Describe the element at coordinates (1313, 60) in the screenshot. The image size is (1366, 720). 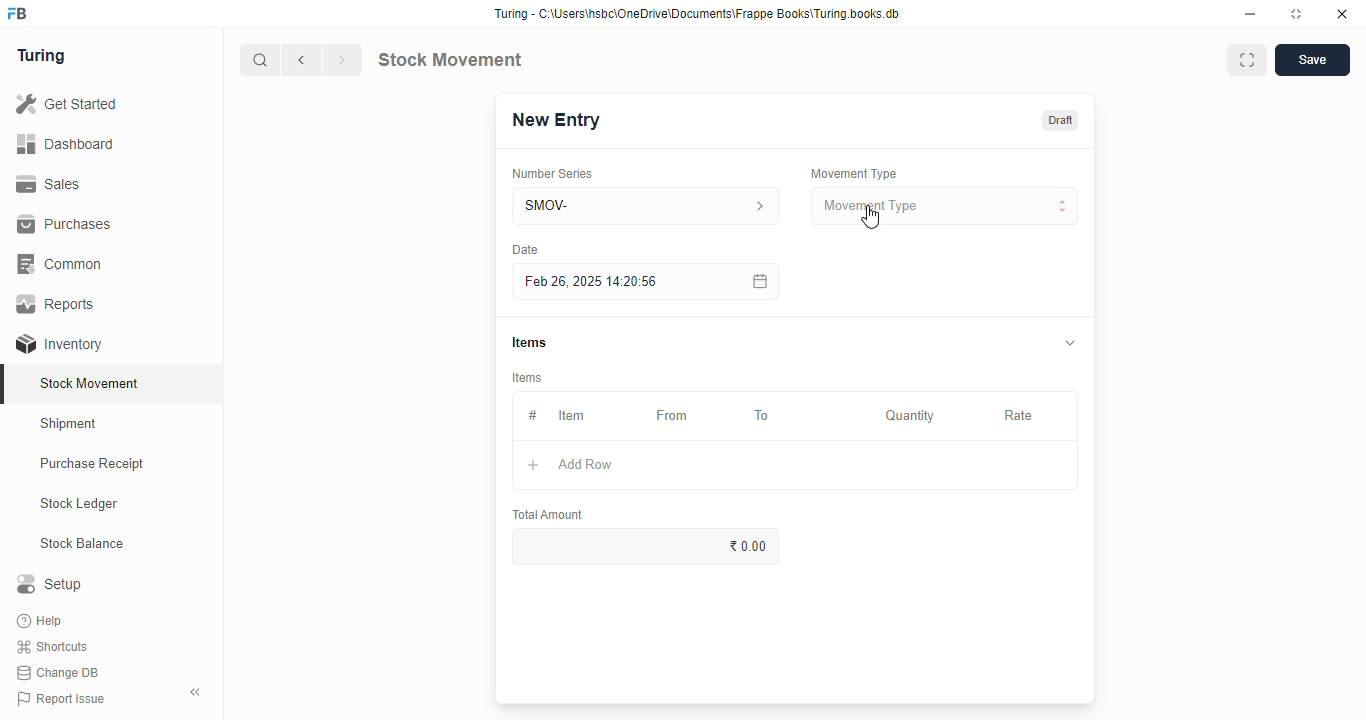
I see `save` at that location.